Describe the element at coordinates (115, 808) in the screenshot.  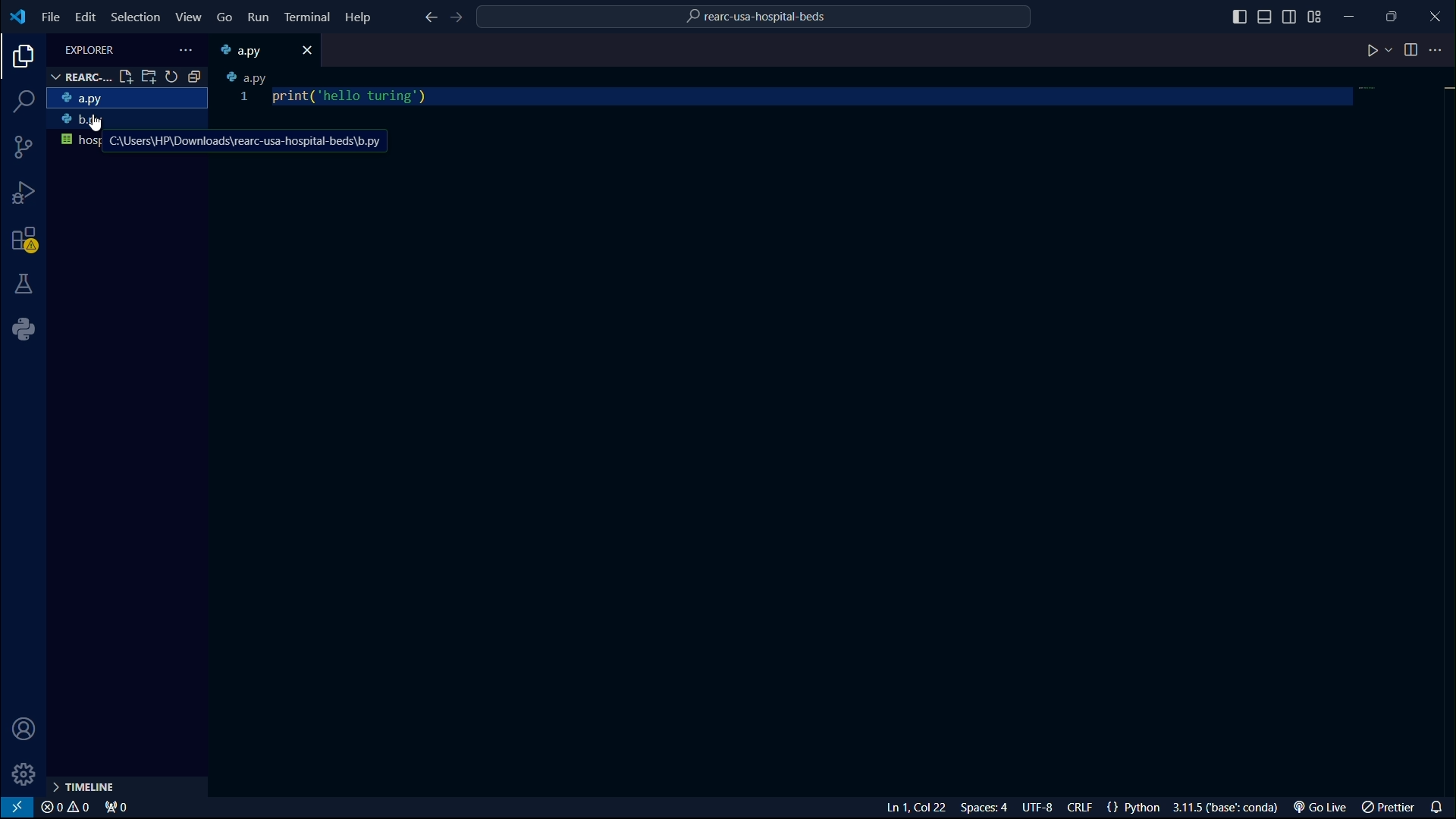
I see `port forwarded` at that location.